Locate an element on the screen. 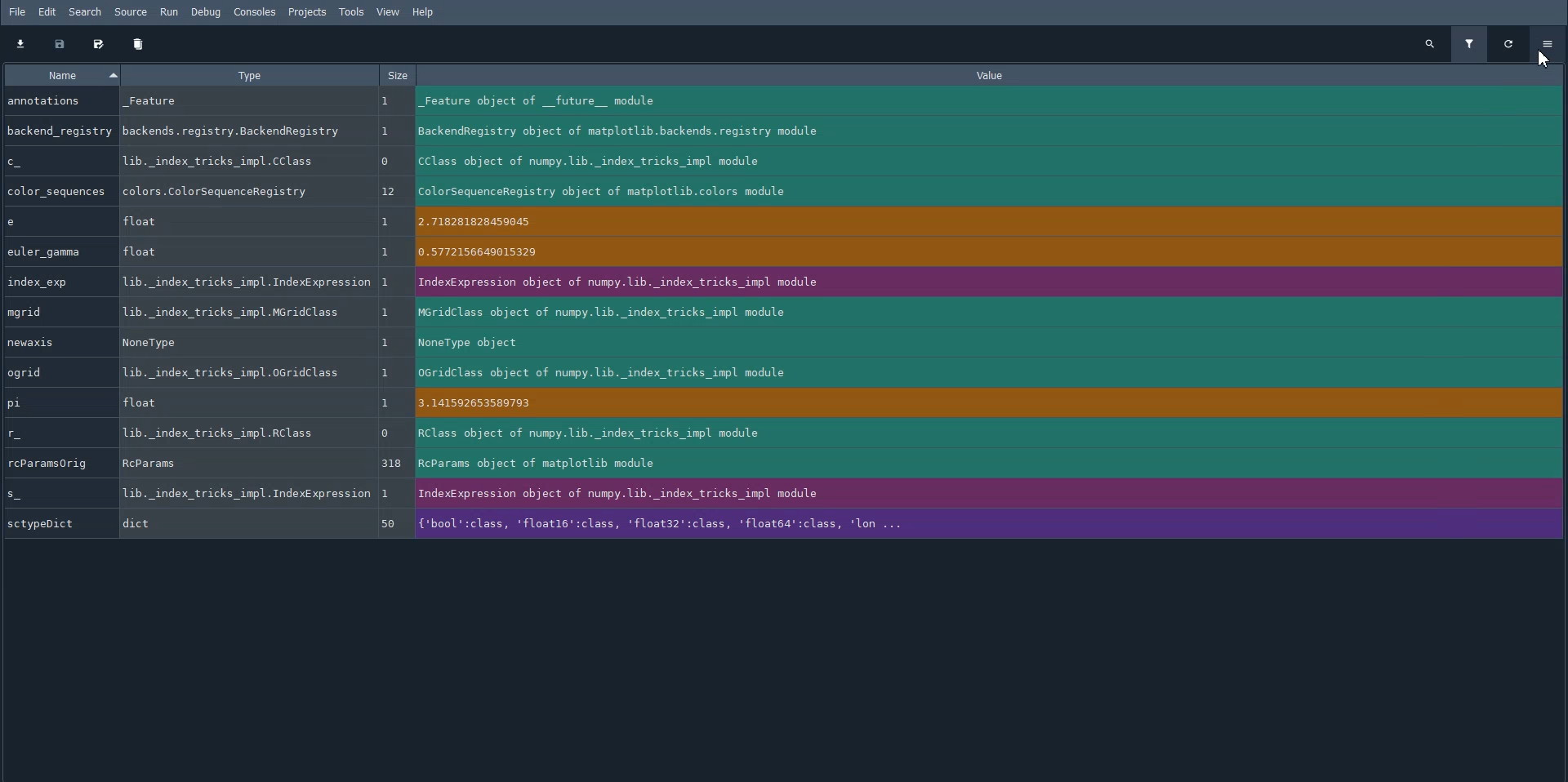 The image size is (1568, 782). type value is located at coordinates (243, 464).